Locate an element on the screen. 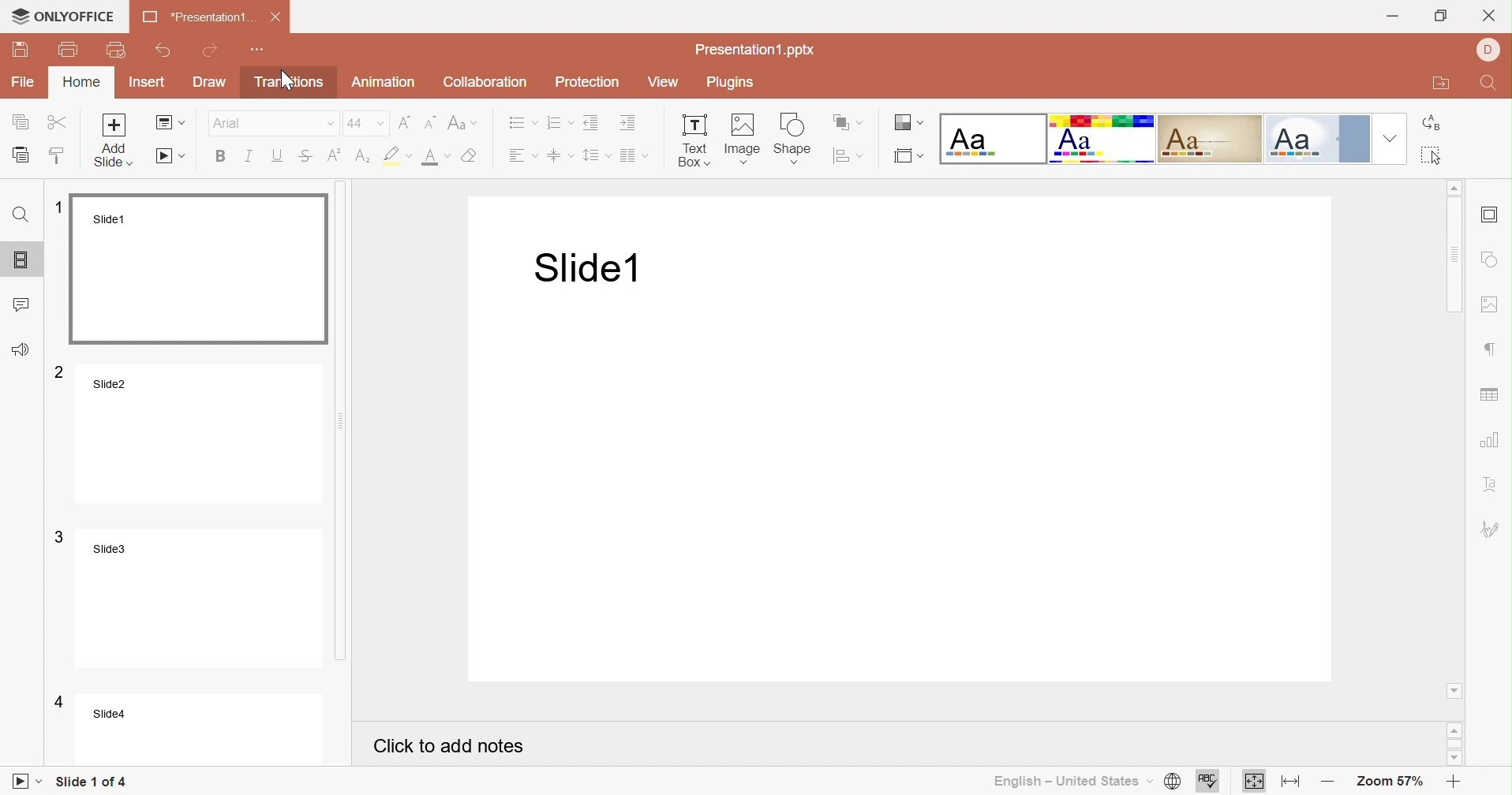  Slides is located at coordinates (20, 259).